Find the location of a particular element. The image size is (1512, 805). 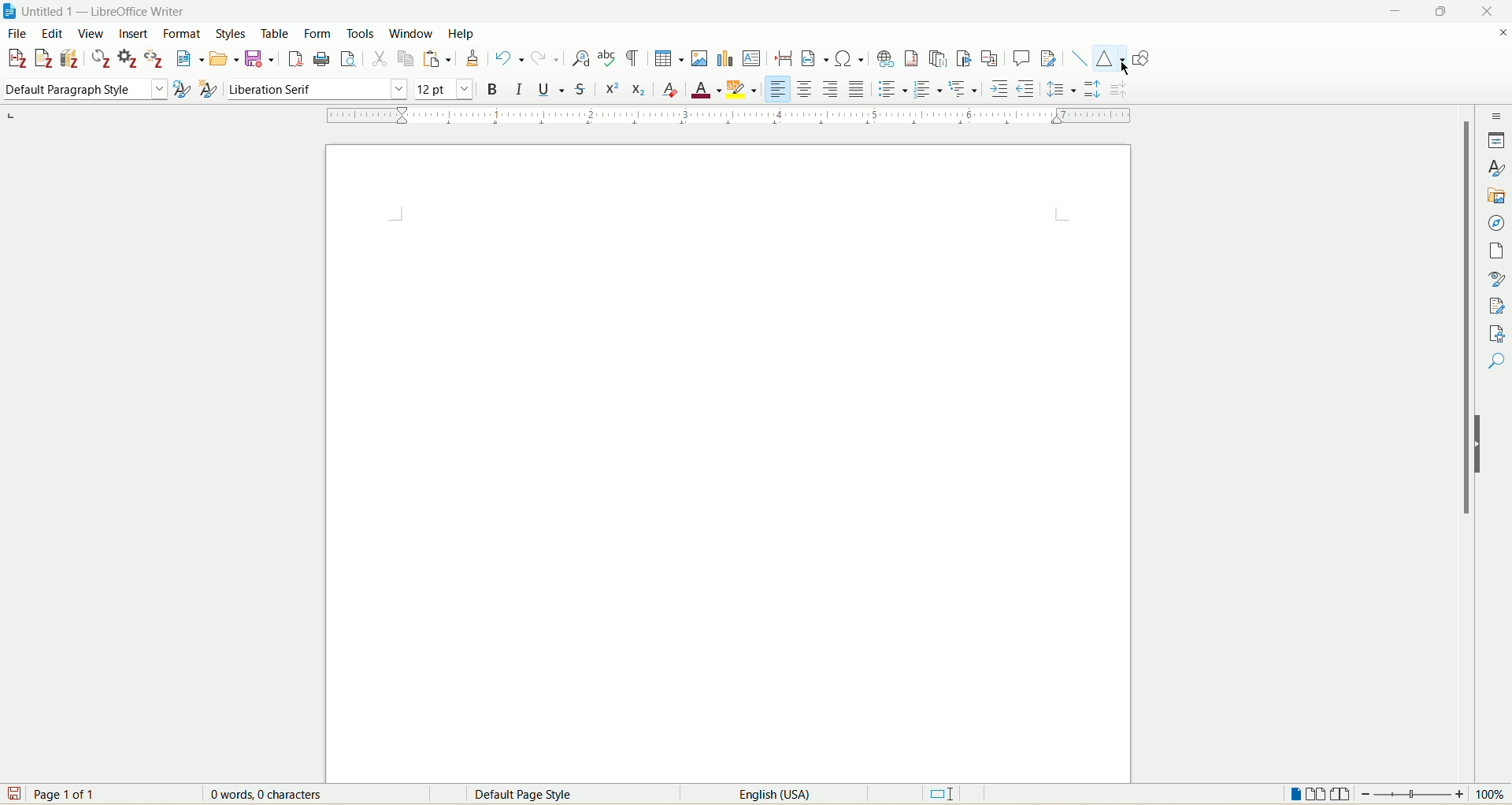

add citation is located at coordinates (15, 59).